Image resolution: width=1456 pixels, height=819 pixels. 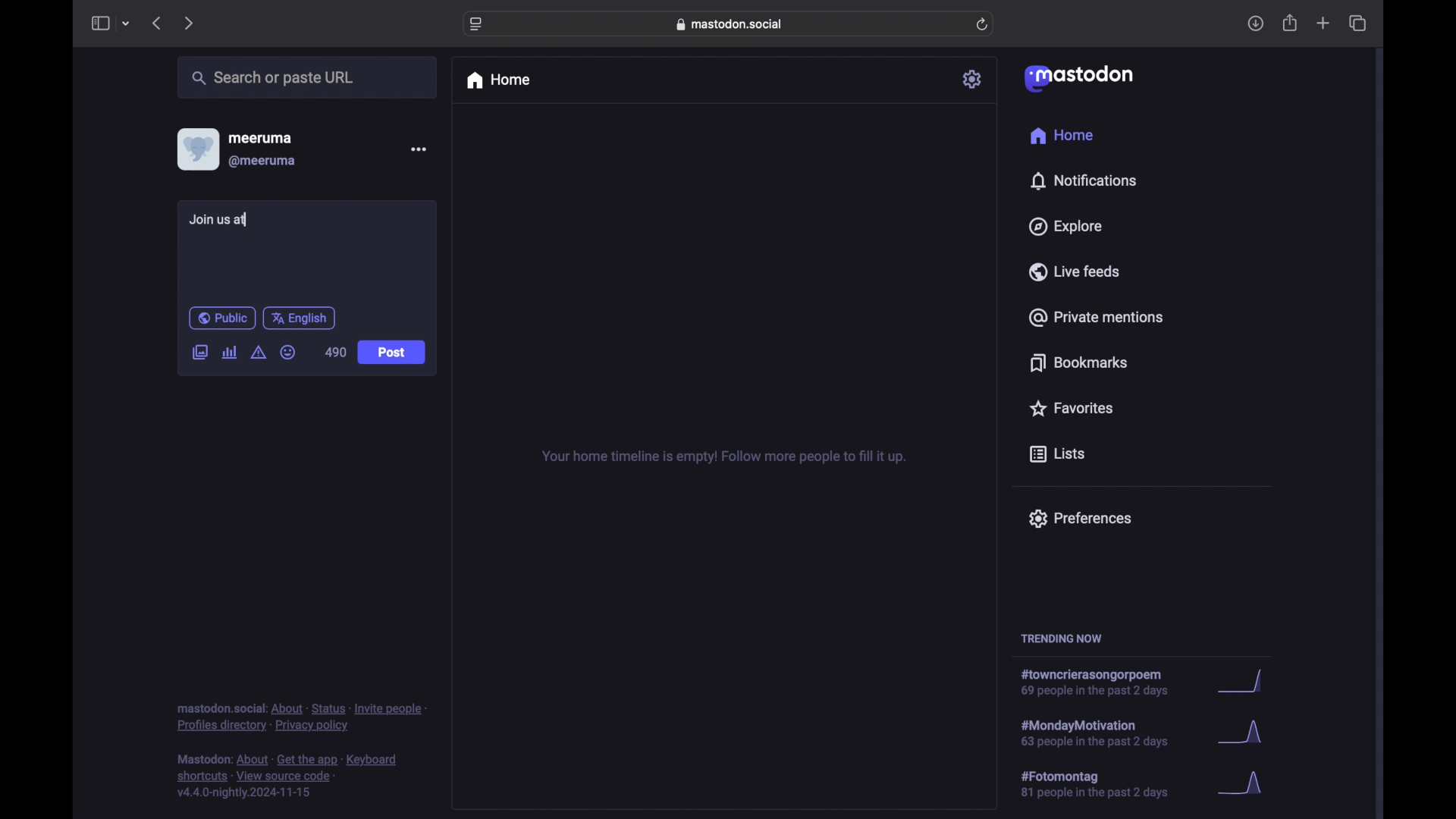 I want to click on share, so click(x=1291, y=24).